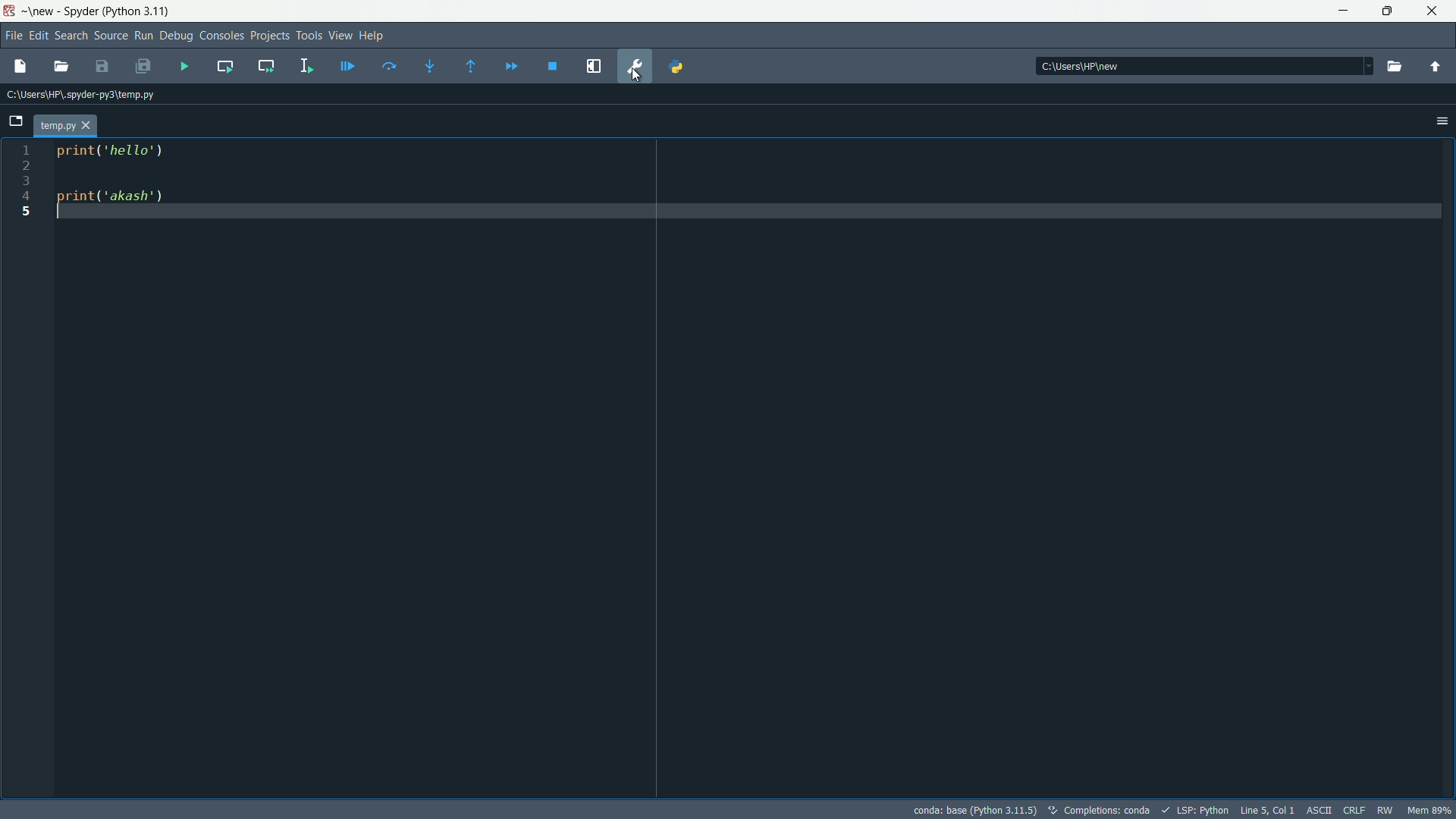 This screenshot has height=819, width=1456. I want to click on cursor, so click(640, 82).